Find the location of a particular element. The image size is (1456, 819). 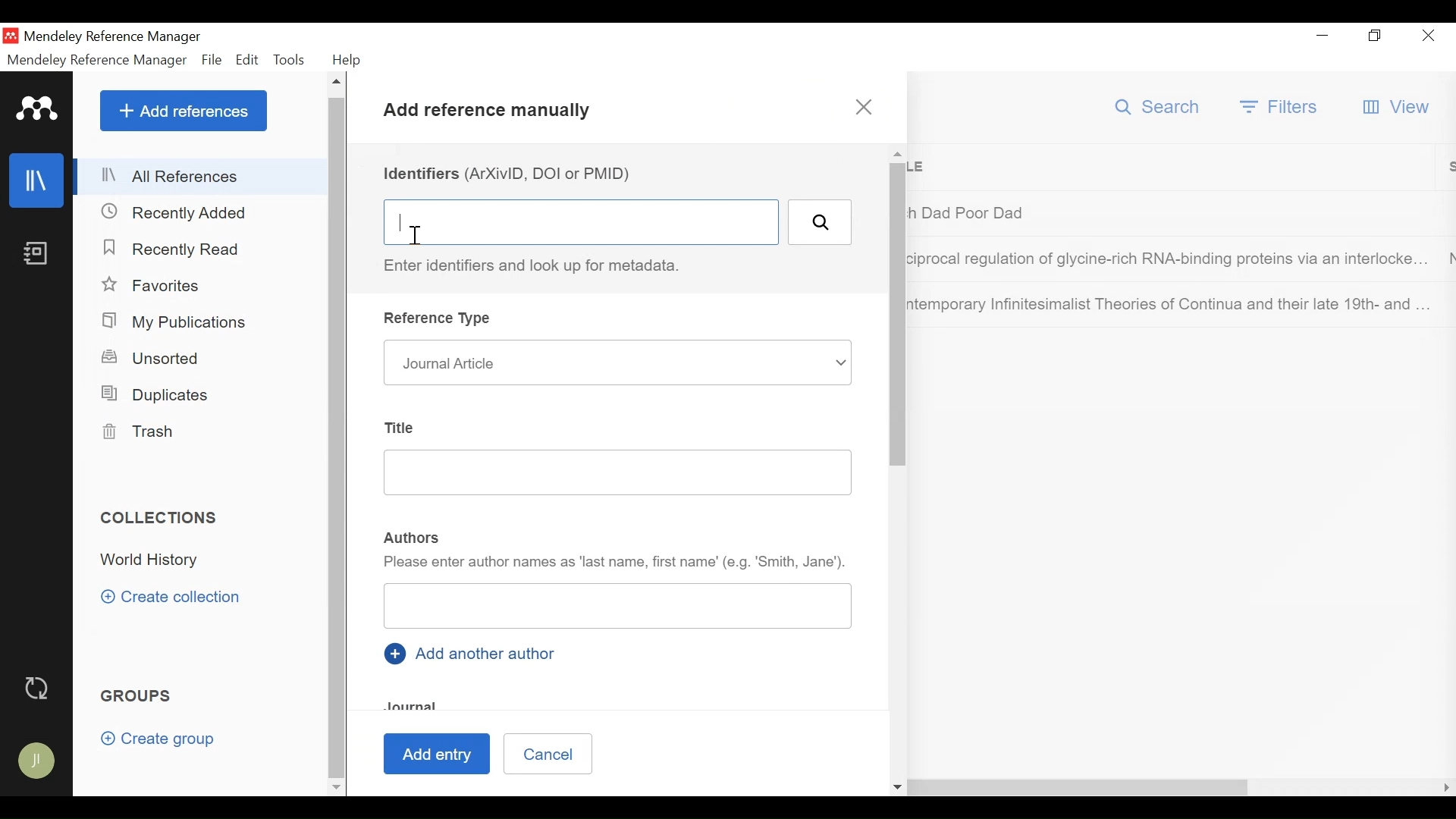

Please enter author as last name, first name is located at coordinates (616, 563).